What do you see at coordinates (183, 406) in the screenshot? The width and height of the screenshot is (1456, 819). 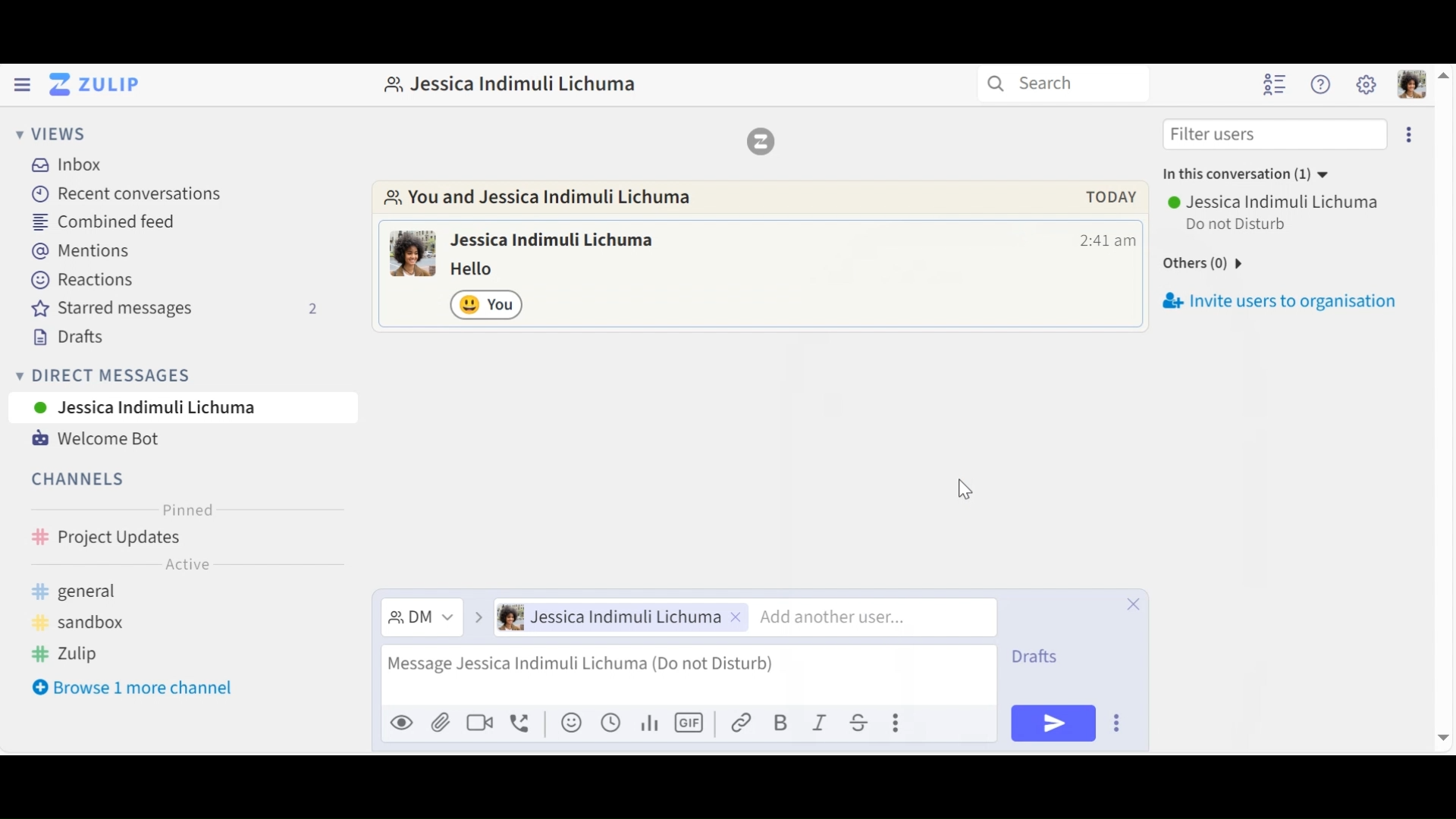 I see `User` at bounding box center [183, 406].